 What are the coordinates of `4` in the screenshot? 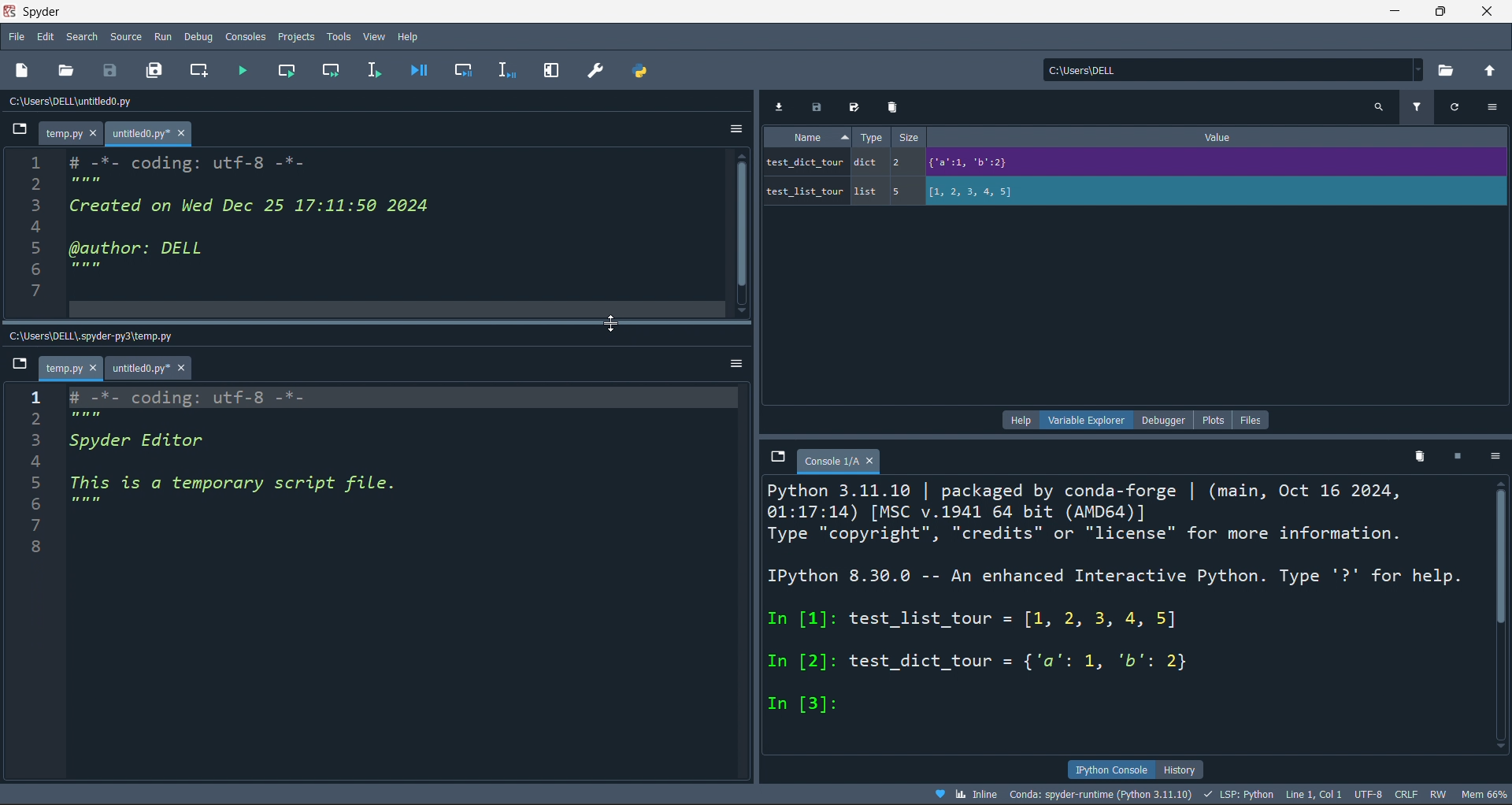 It's located at (87, 464).